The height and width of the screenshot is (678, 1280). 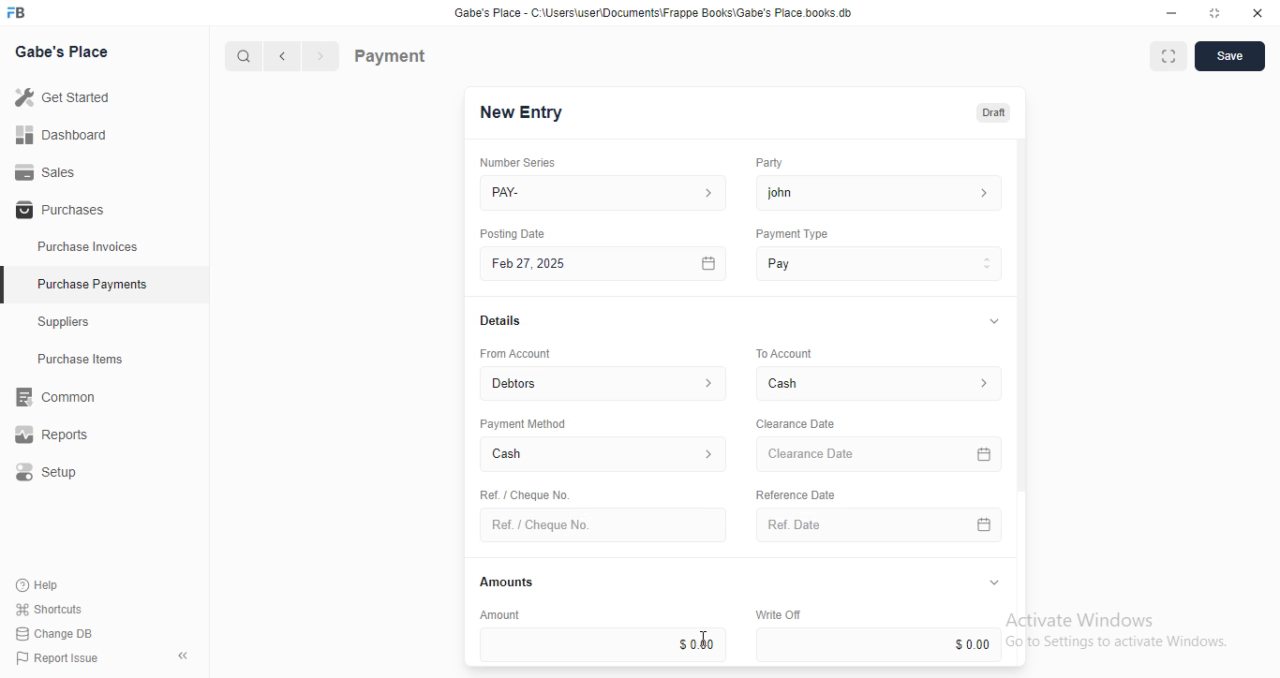 What do you see at coordinates (522, 423) in the screenshot?
I see `‘Payment Method` at bounding box center [522, 423].